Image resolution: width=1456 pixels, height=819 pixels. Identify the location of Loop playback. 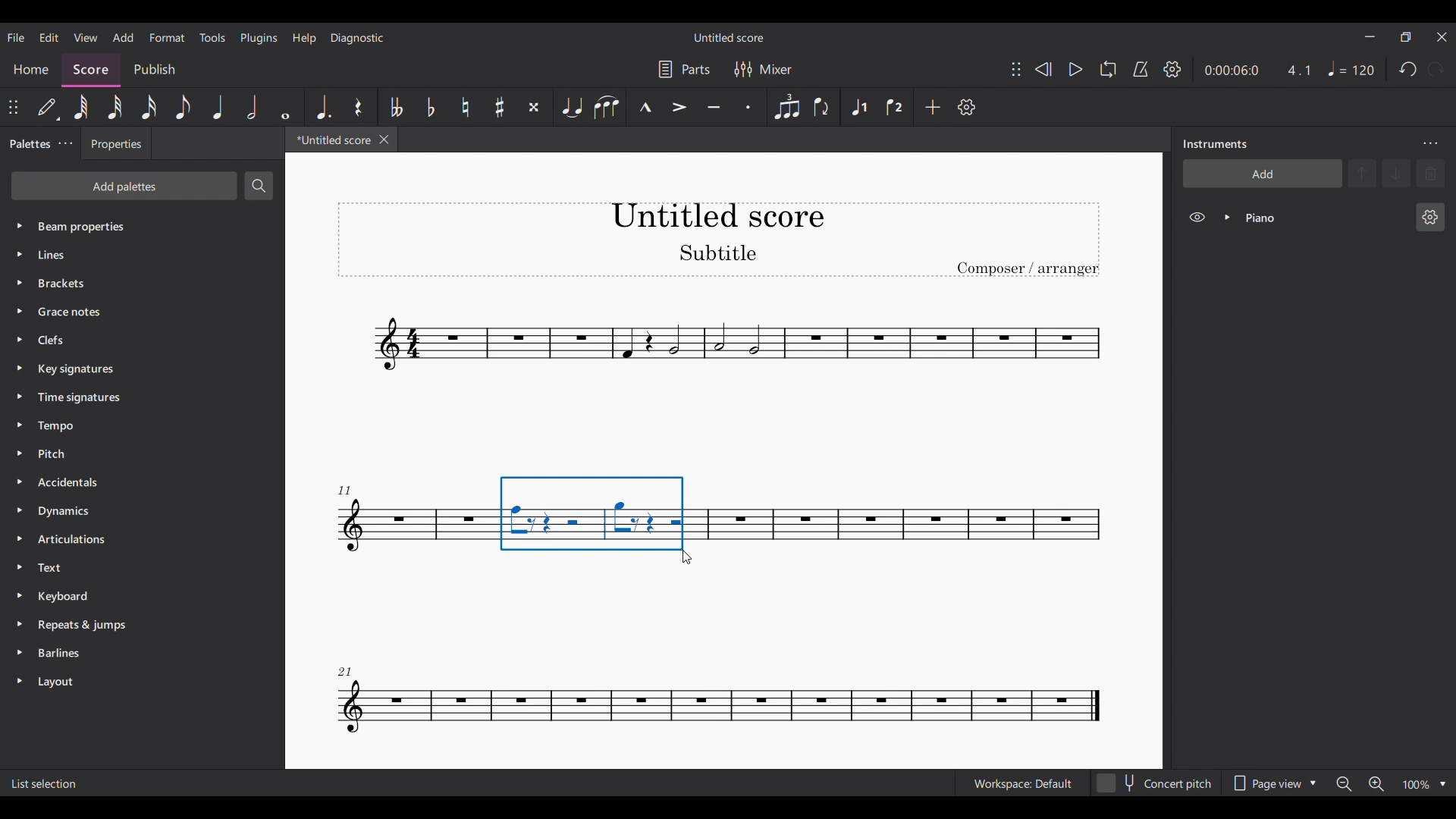
(1108, 69).